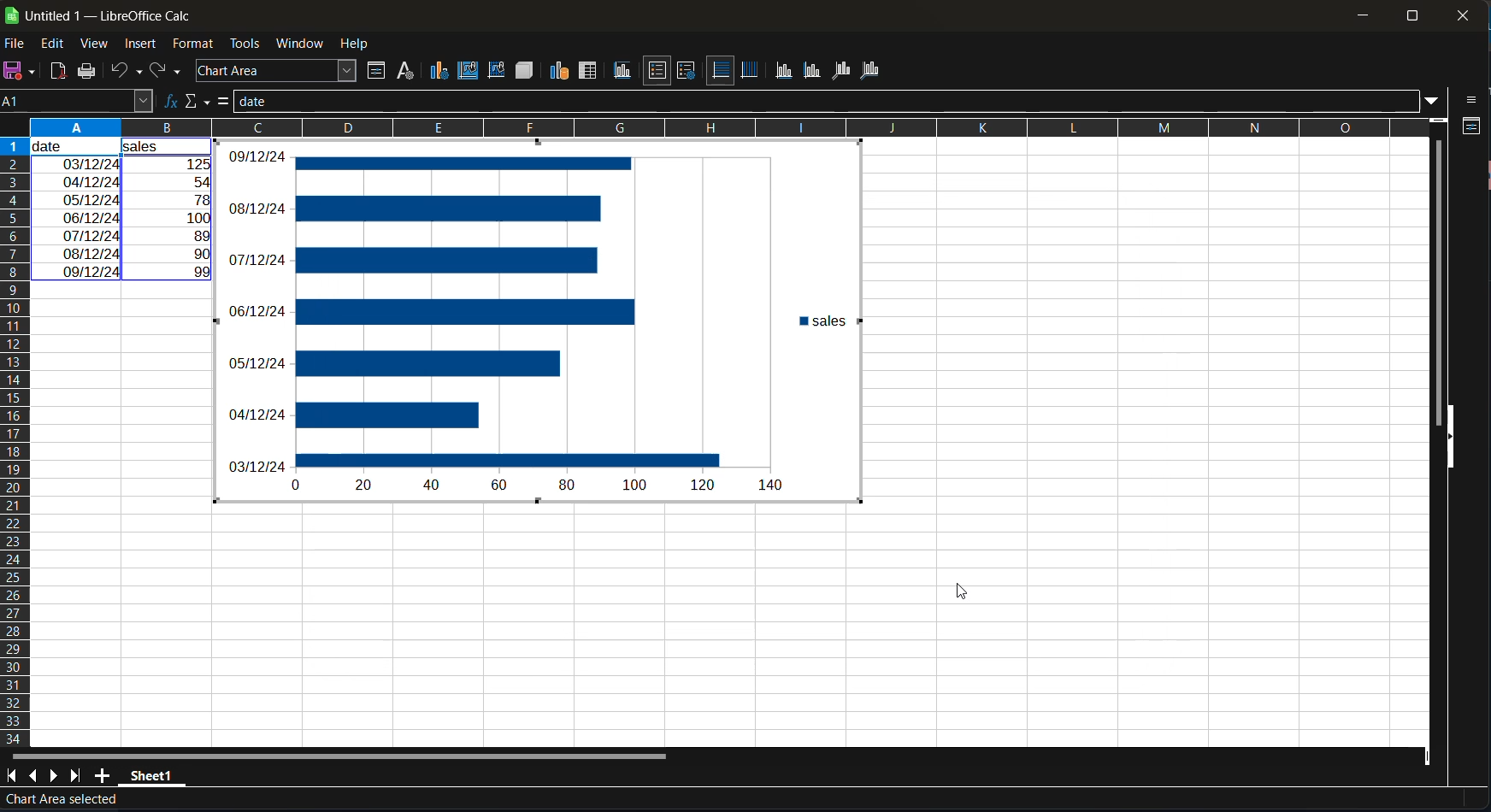  What do you see at coordinates (10, 775) in the screenshot?
I see `scroll to first sheet` at bounding box center [10, 775].